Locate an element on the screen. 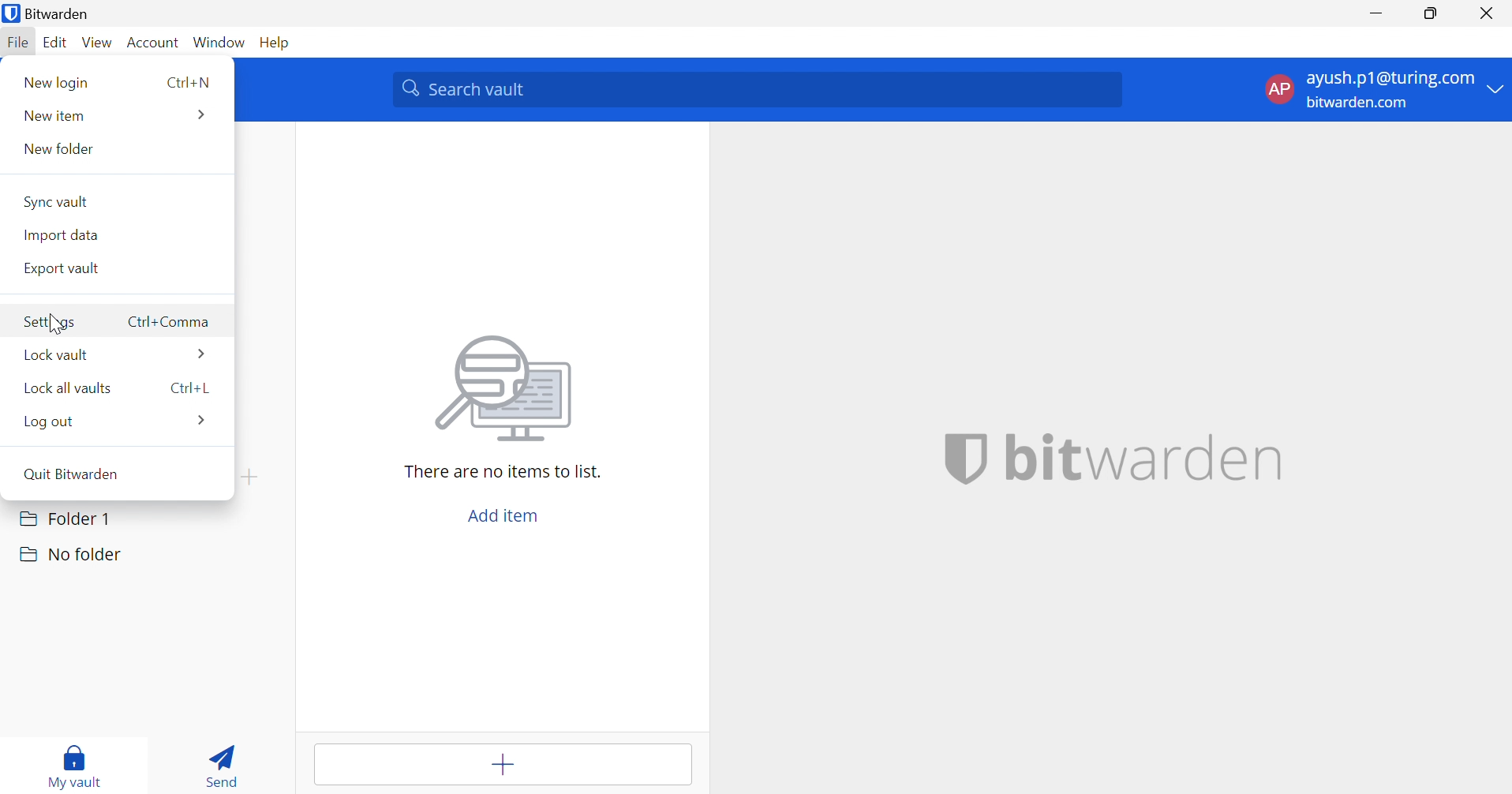 Image resolution: width=1512 pixels, height=794 pixels. Add folder is located at coordinates (249, 477).